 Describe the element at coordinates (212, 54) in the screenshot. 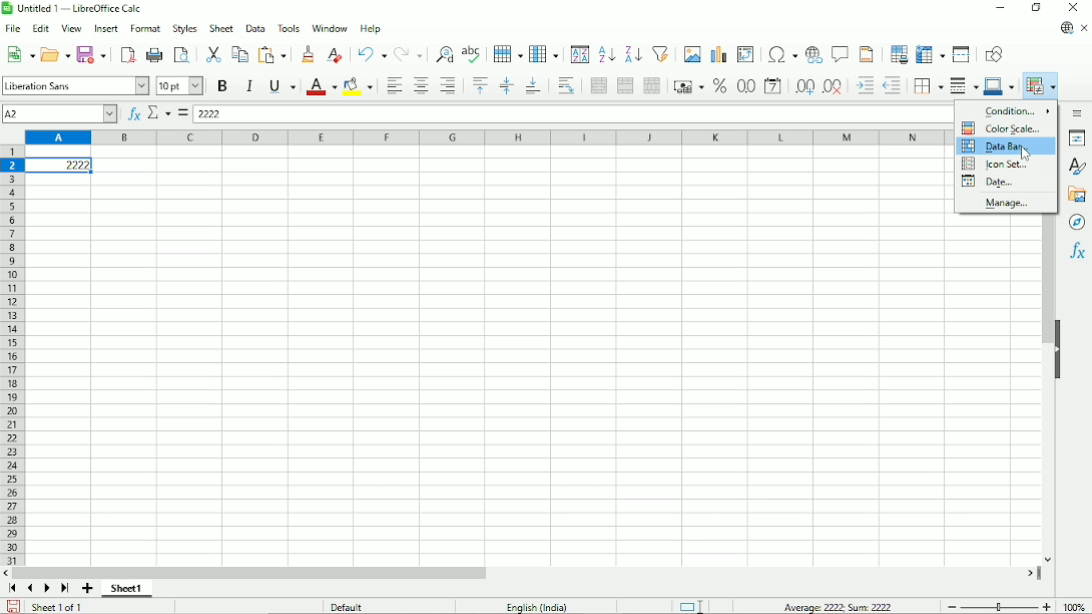

I see `Cut` at that location.